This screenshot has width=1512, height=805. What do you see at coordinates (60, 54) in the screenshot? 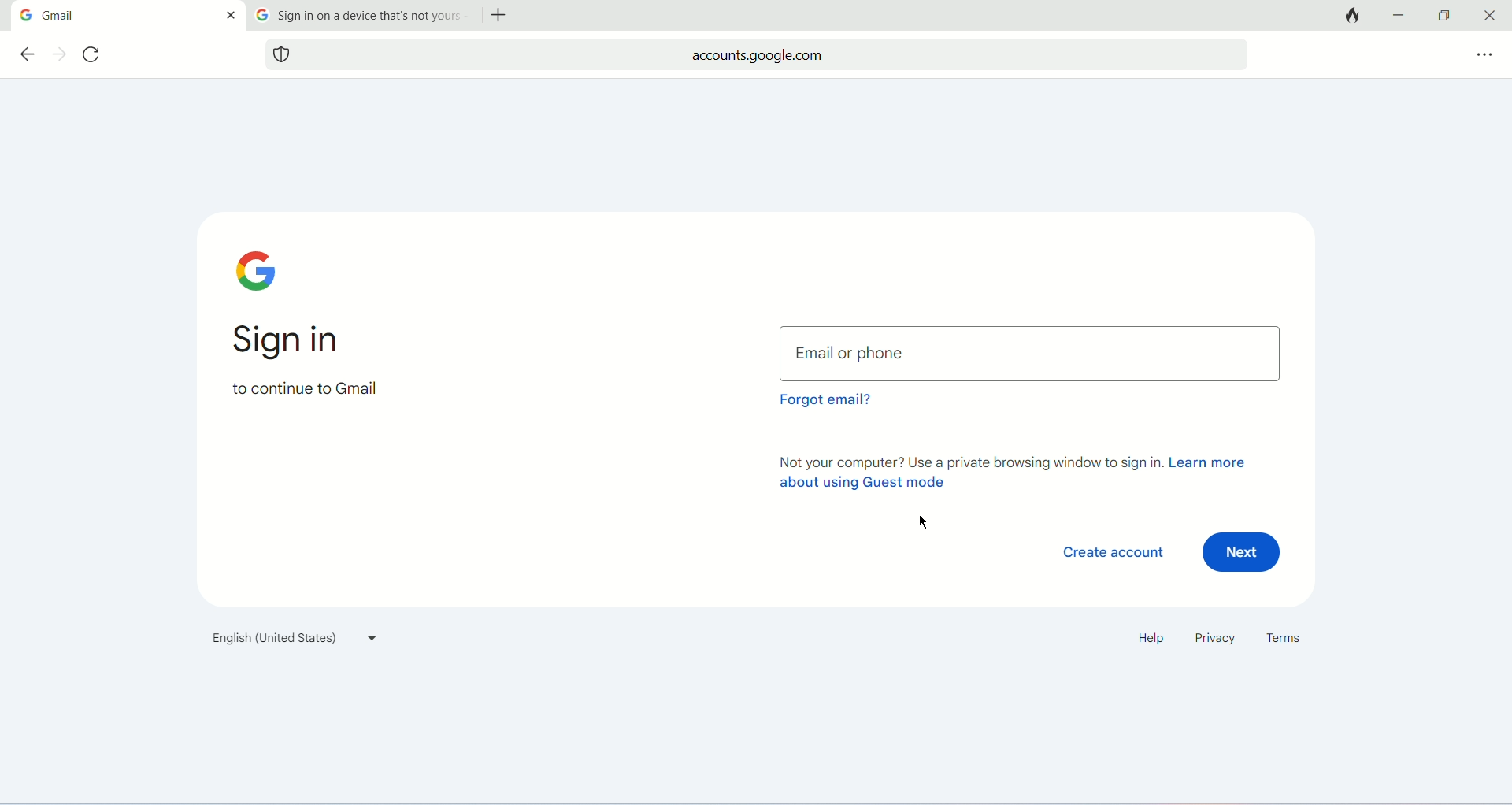
I see `next` at bounding box center [60, 54].